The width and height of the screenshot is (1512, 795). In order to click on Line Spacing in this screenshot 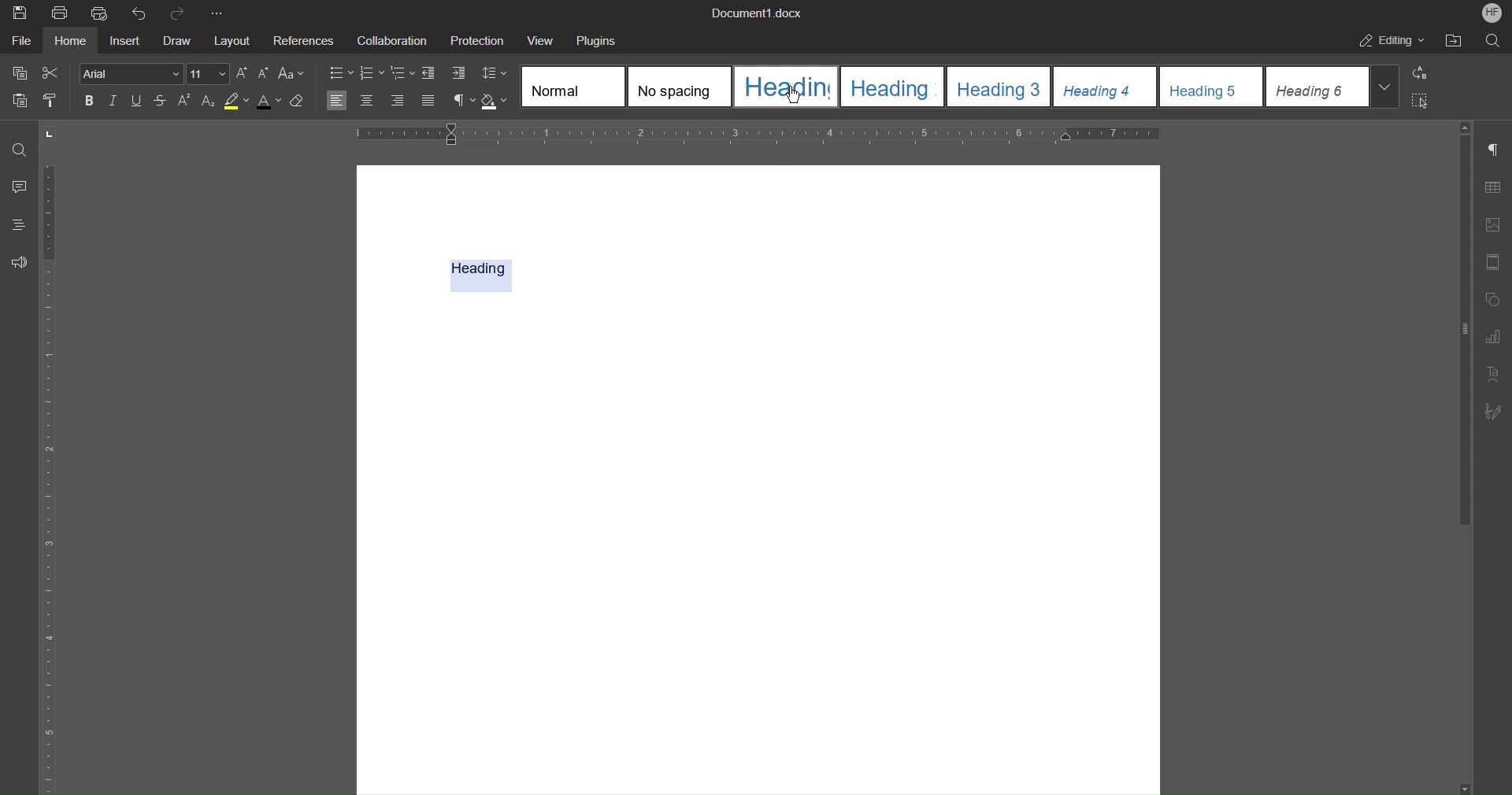, I will do `click(495, 74)`.